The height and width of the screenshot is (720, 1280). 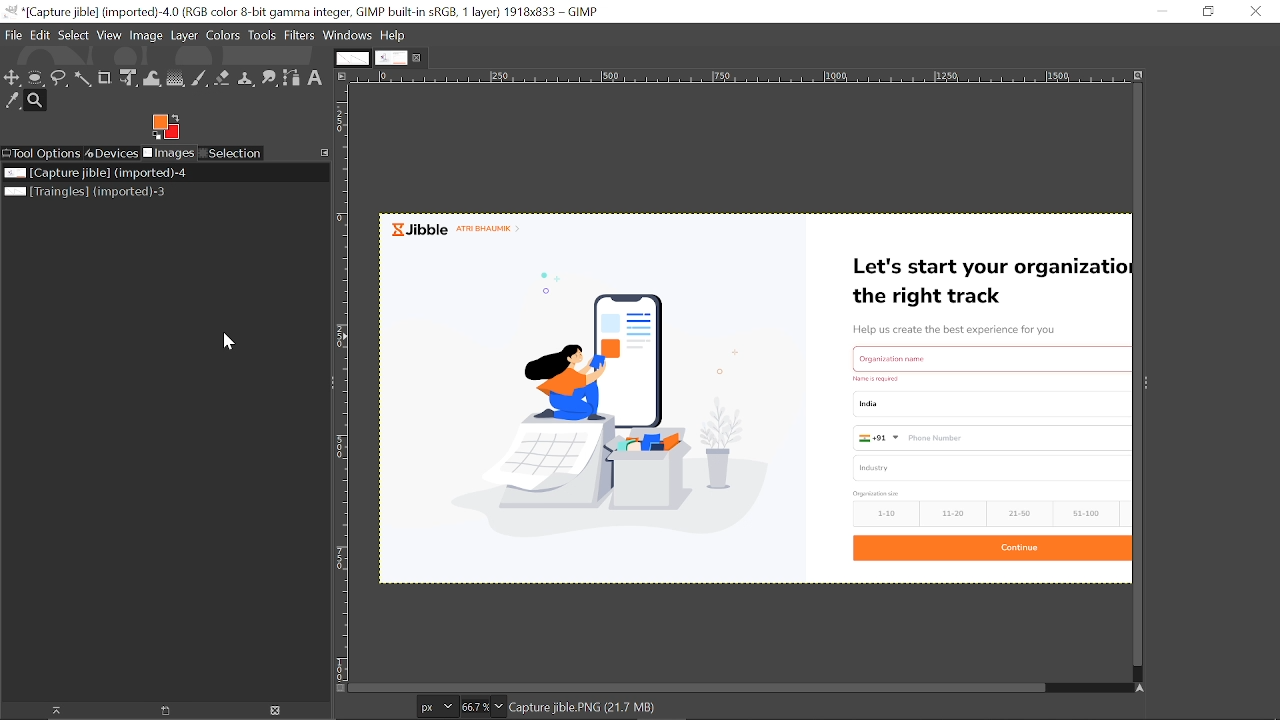 What do you see at coordinates (291, 77) in the screenshot?
I see `paths tool` at bounding box center [291, 77].